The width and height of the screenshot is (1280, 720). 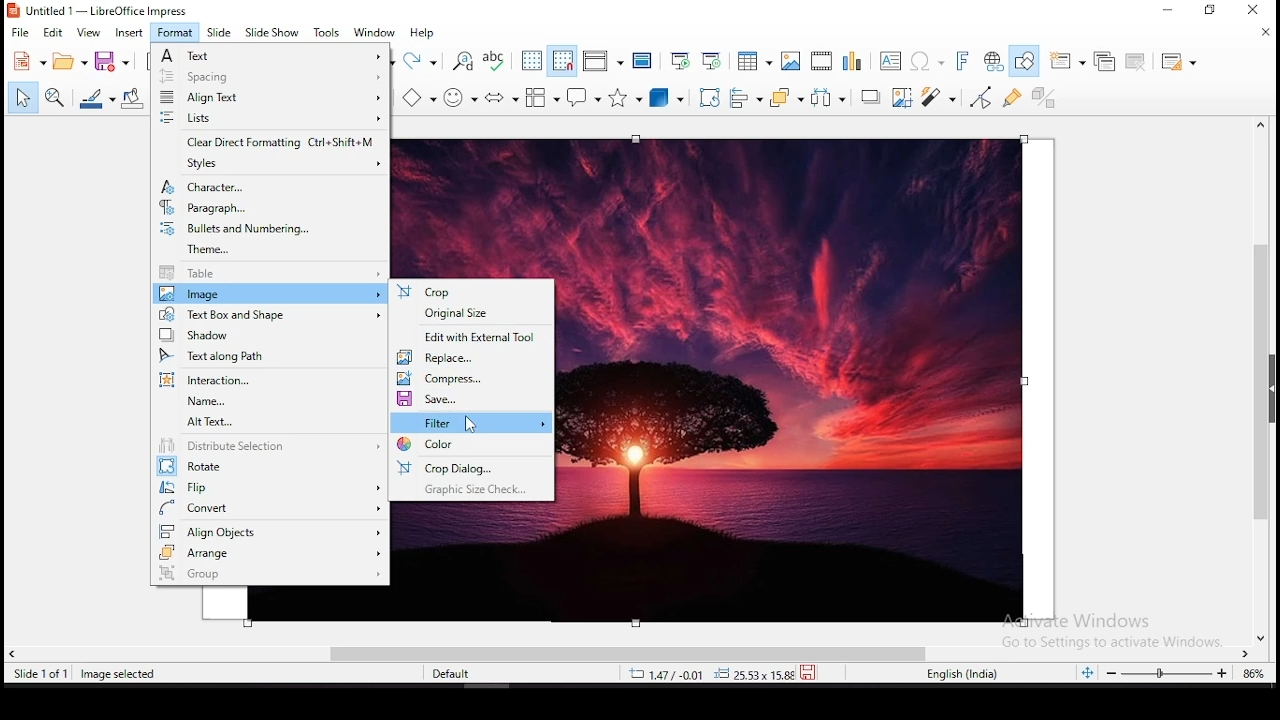 What do you see at coordinates (828, 99) in the screenshot?
I see `distribute` at bounding box center [828, 99].